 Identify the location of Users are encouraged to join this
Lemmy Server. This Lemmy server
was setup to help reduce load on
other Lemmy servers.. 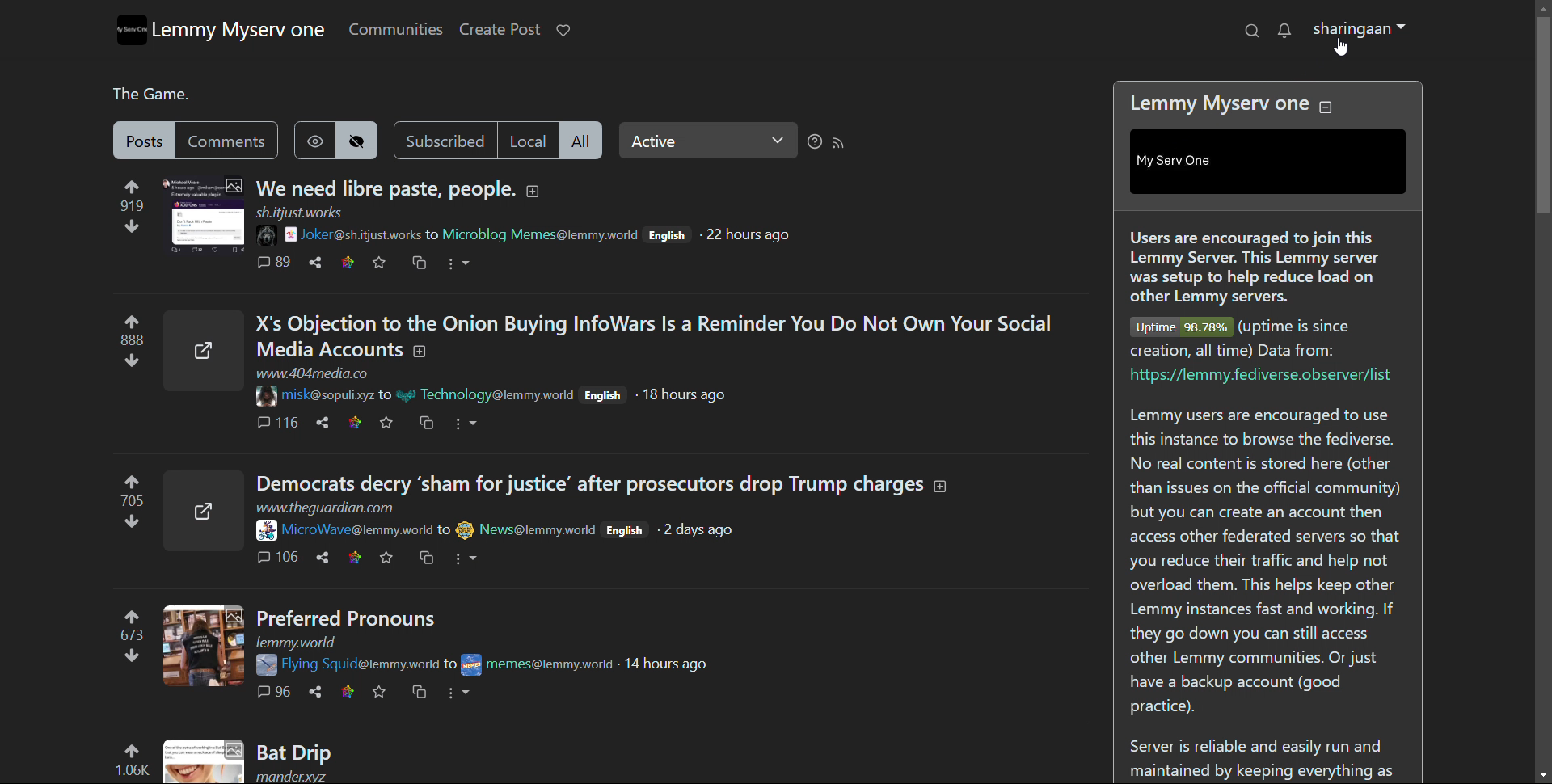
(1259, 268).